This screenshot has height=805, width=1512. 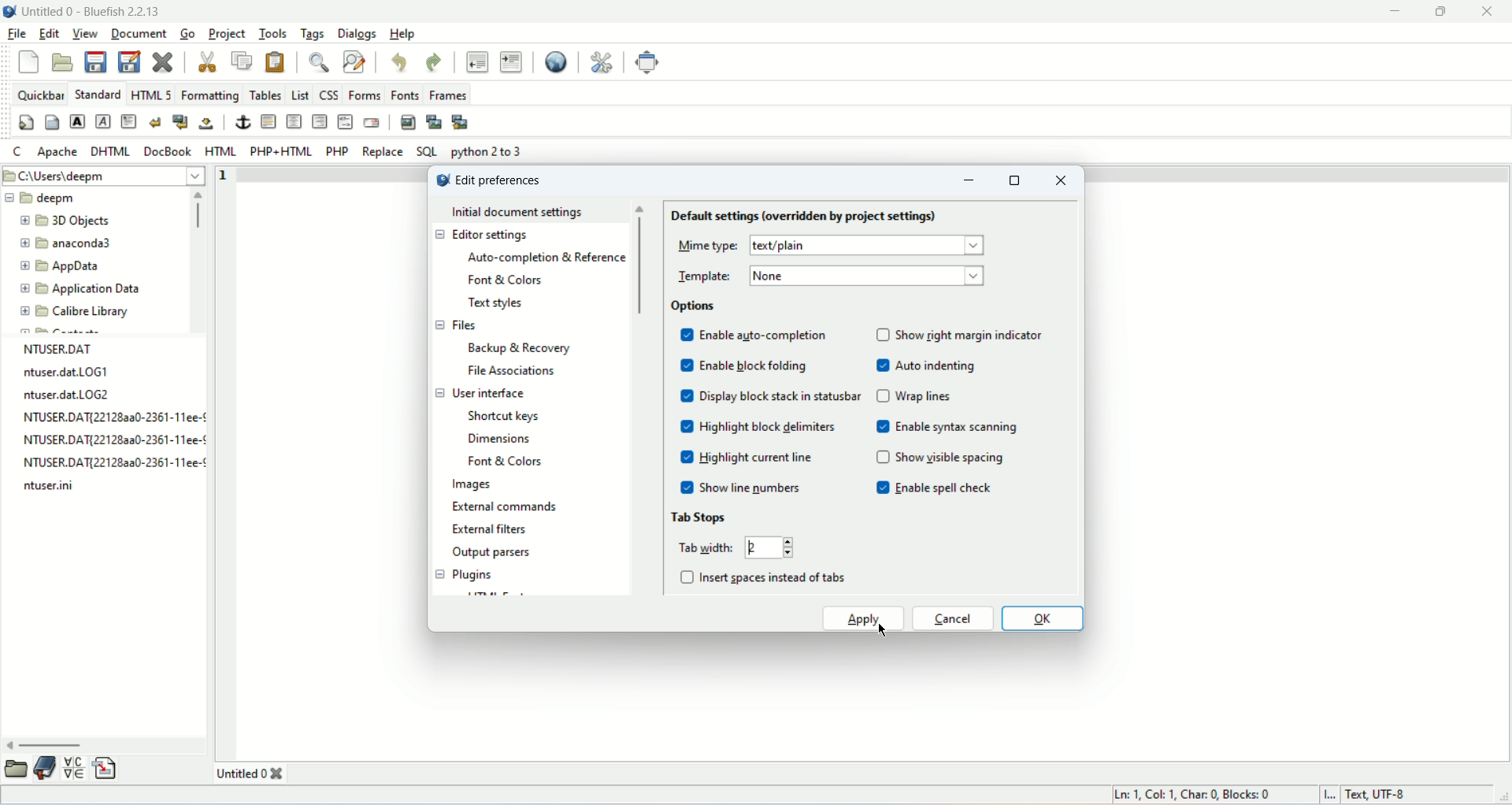 What do you see at coordinates (502, 509) in the screenshot?
I see `external commands` at bounding box center [502, 509].